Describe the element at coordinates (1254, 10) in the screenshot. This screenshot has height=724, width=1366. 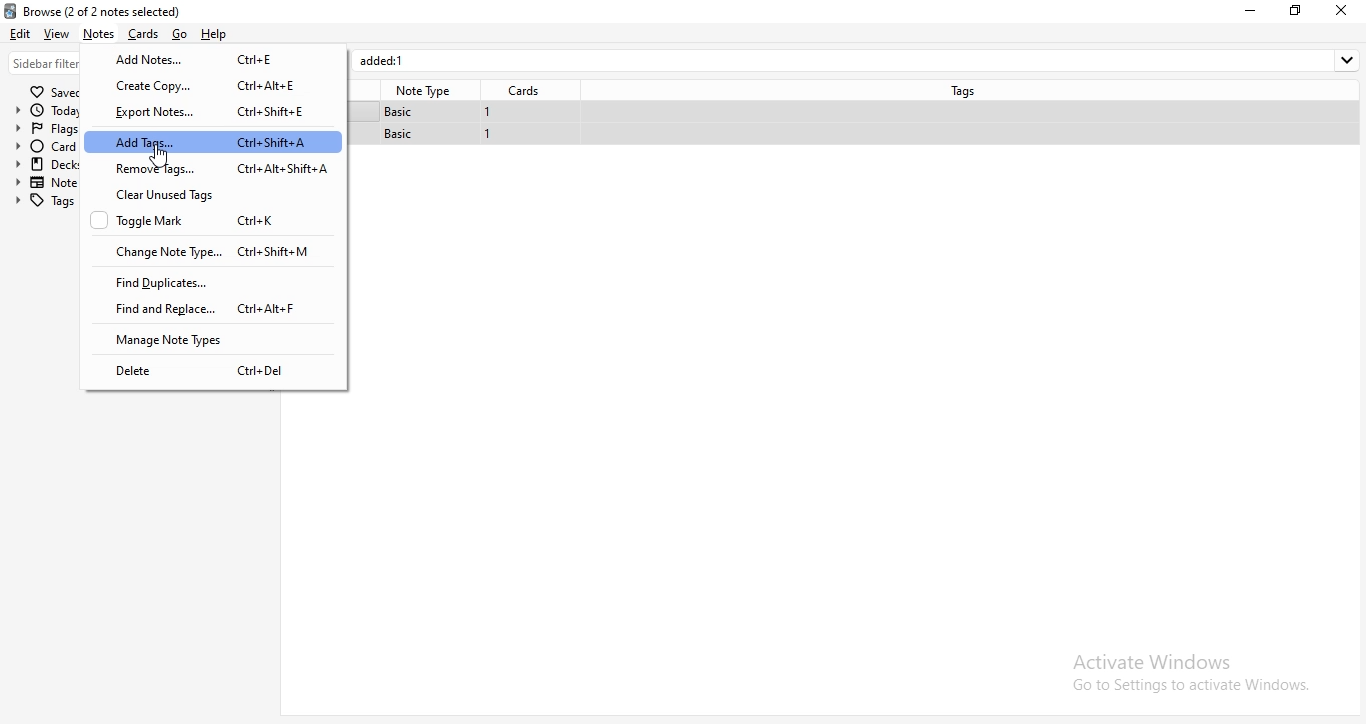
I see `minimise` at that location.